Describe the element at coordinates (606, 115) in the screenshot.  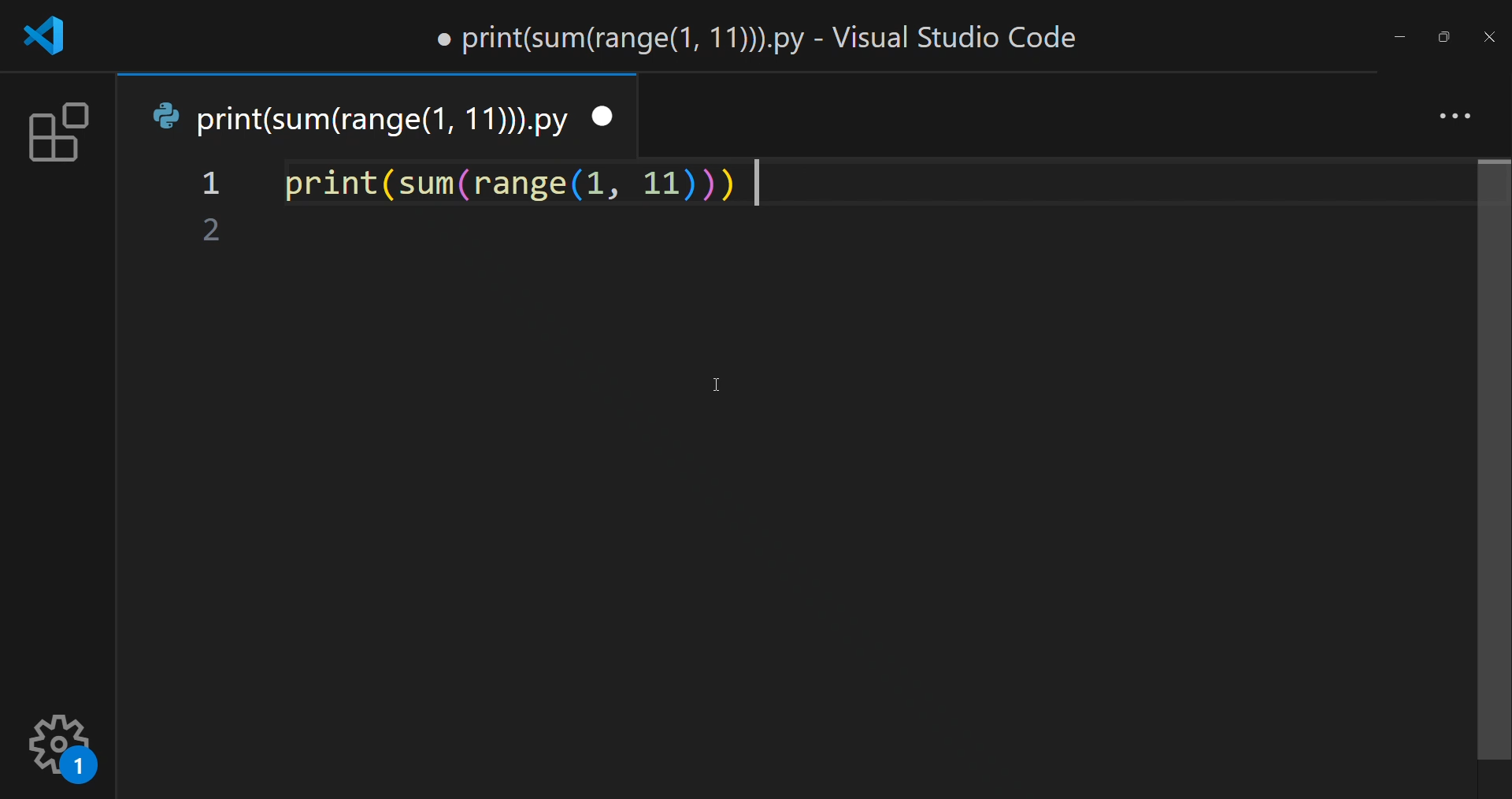
I see `close tab` at that location.